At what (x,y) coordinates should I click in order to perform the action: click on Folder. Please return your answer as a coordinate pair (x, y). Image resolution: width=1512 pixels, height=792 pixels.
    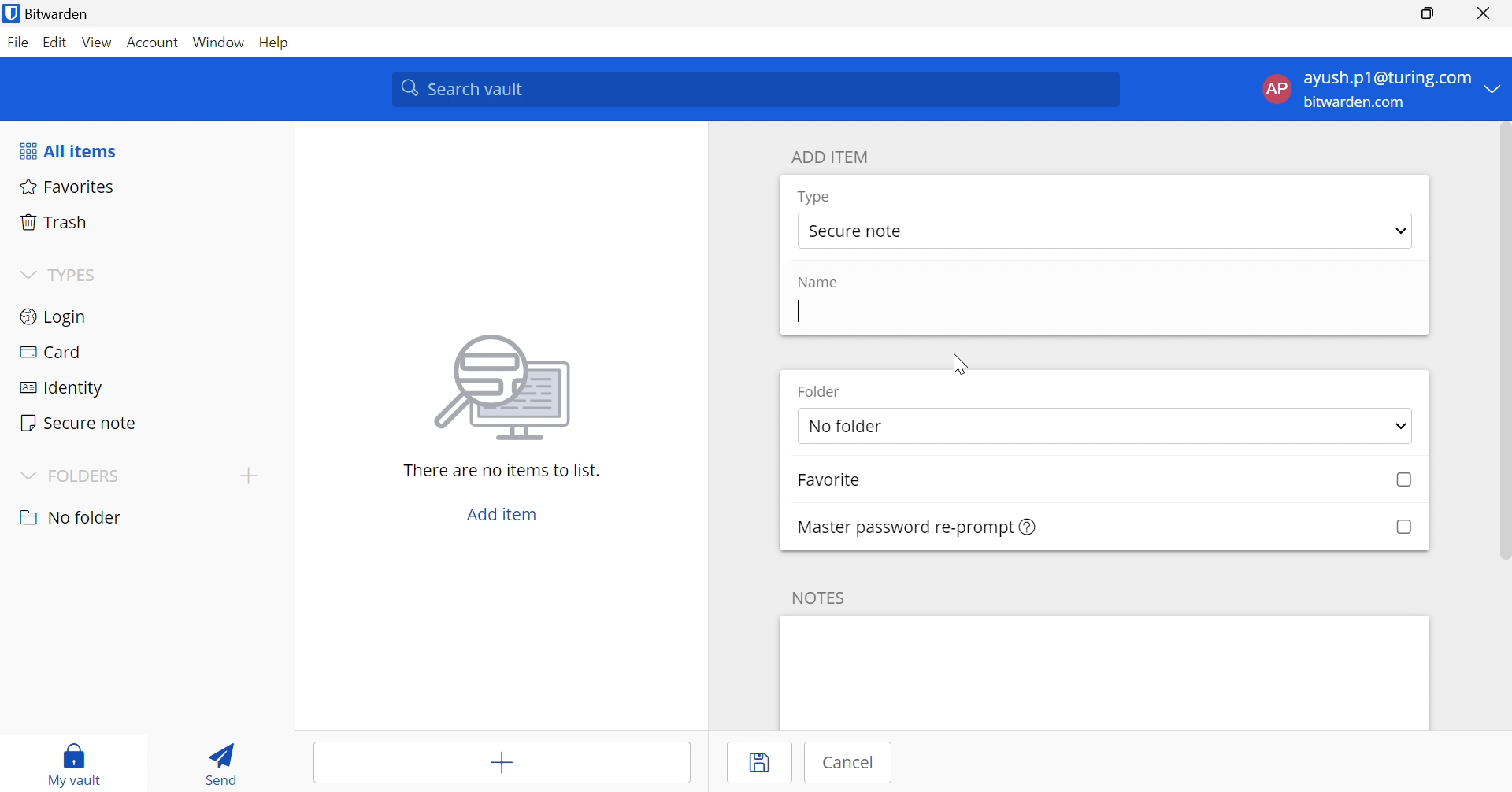
    Looking at the image, I should click on (819, 393).